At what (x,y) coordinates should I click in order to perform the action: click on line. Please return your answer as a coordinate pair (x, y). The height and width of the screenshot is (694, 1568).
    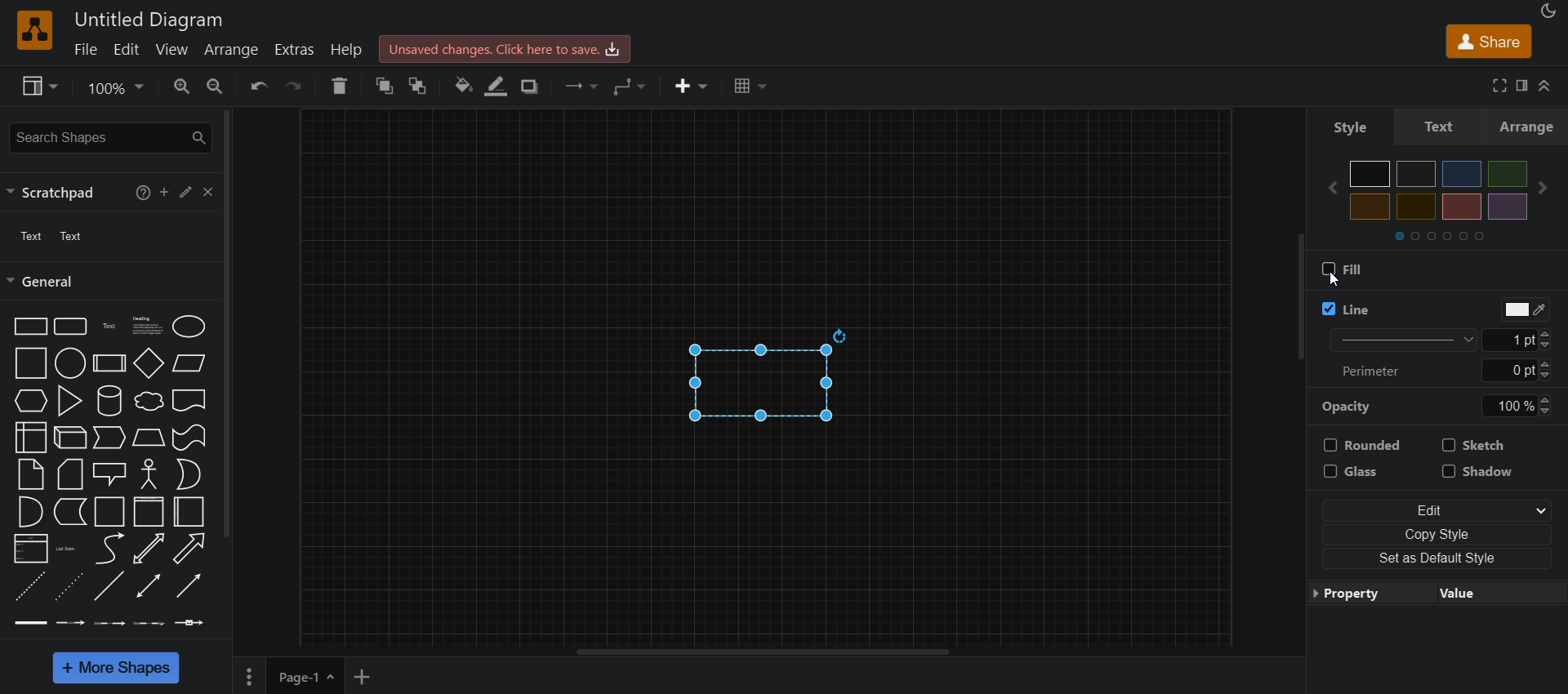
    Looking at the image, I should click on (109, 587).